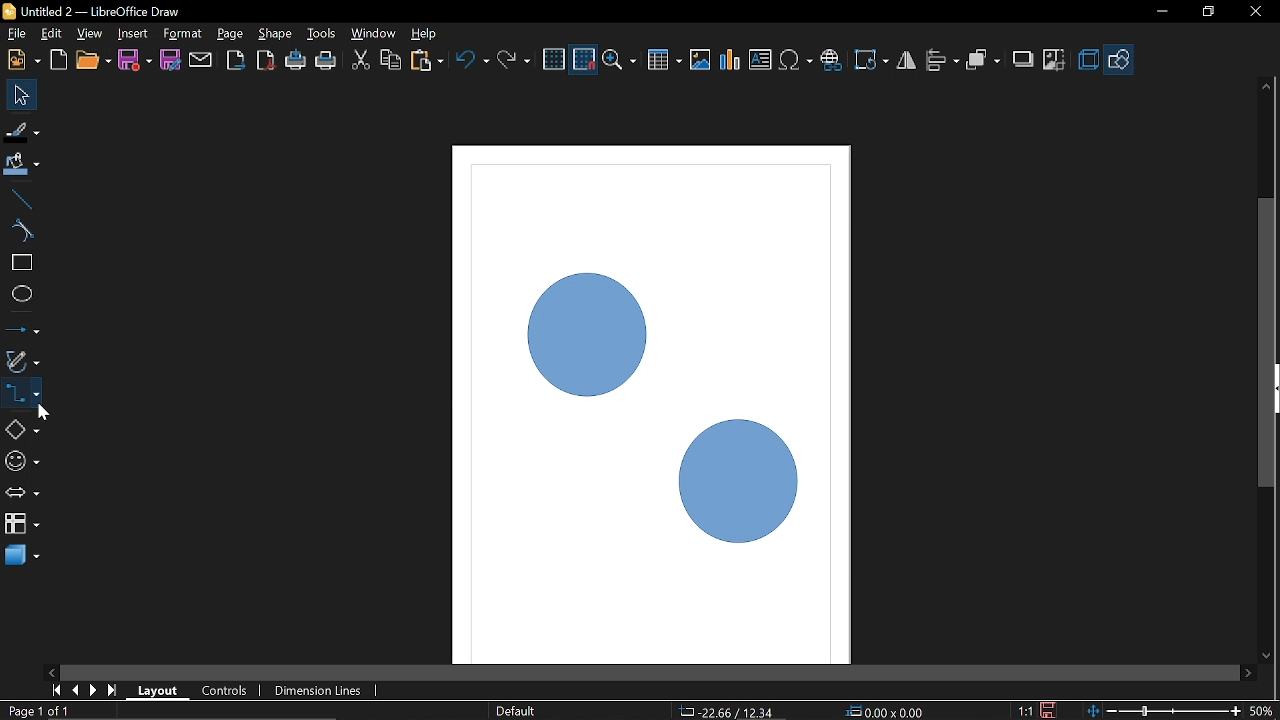 The image size is (1280, 720). Describe the element at coordinates (92, 11) in the screenshot. I see `Current window` at that location.